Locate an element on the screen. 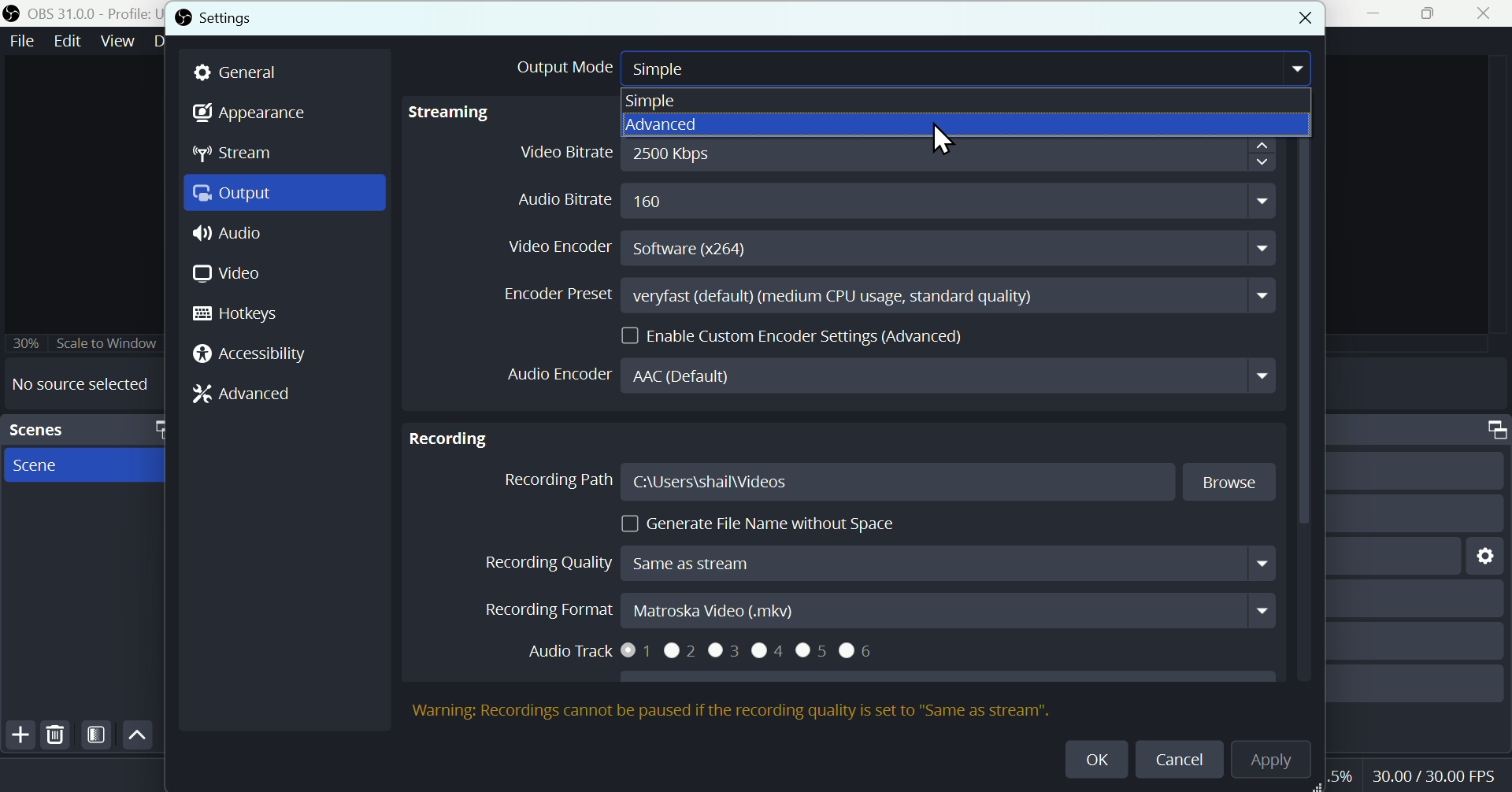  Recording is located at coordinates (452, 439).